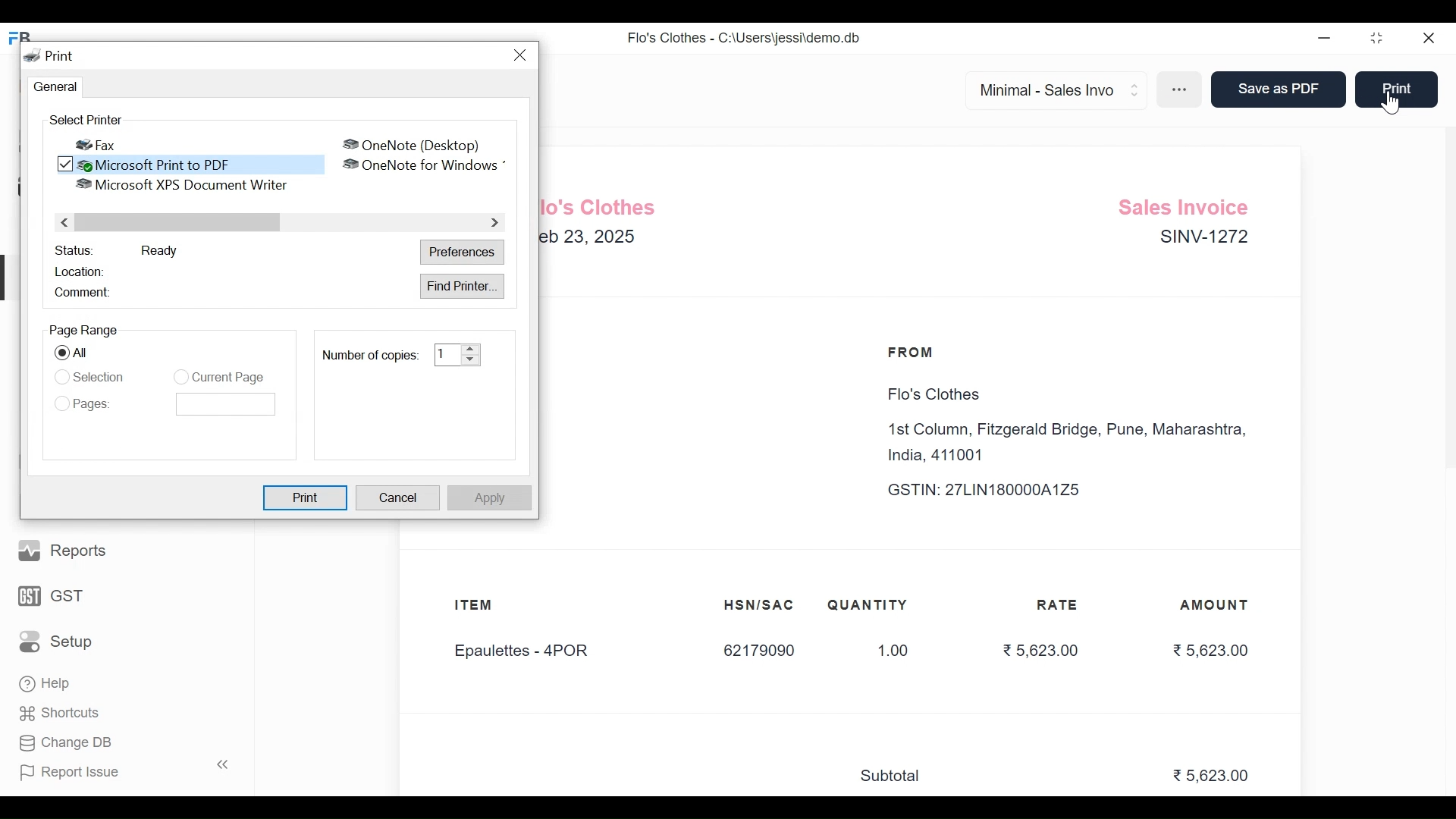 The height and width of the screenshot is (819, 1456). Describe the element at coordinates (1188, 205) in the screenshot. I see `Sales Invoice` at that location.